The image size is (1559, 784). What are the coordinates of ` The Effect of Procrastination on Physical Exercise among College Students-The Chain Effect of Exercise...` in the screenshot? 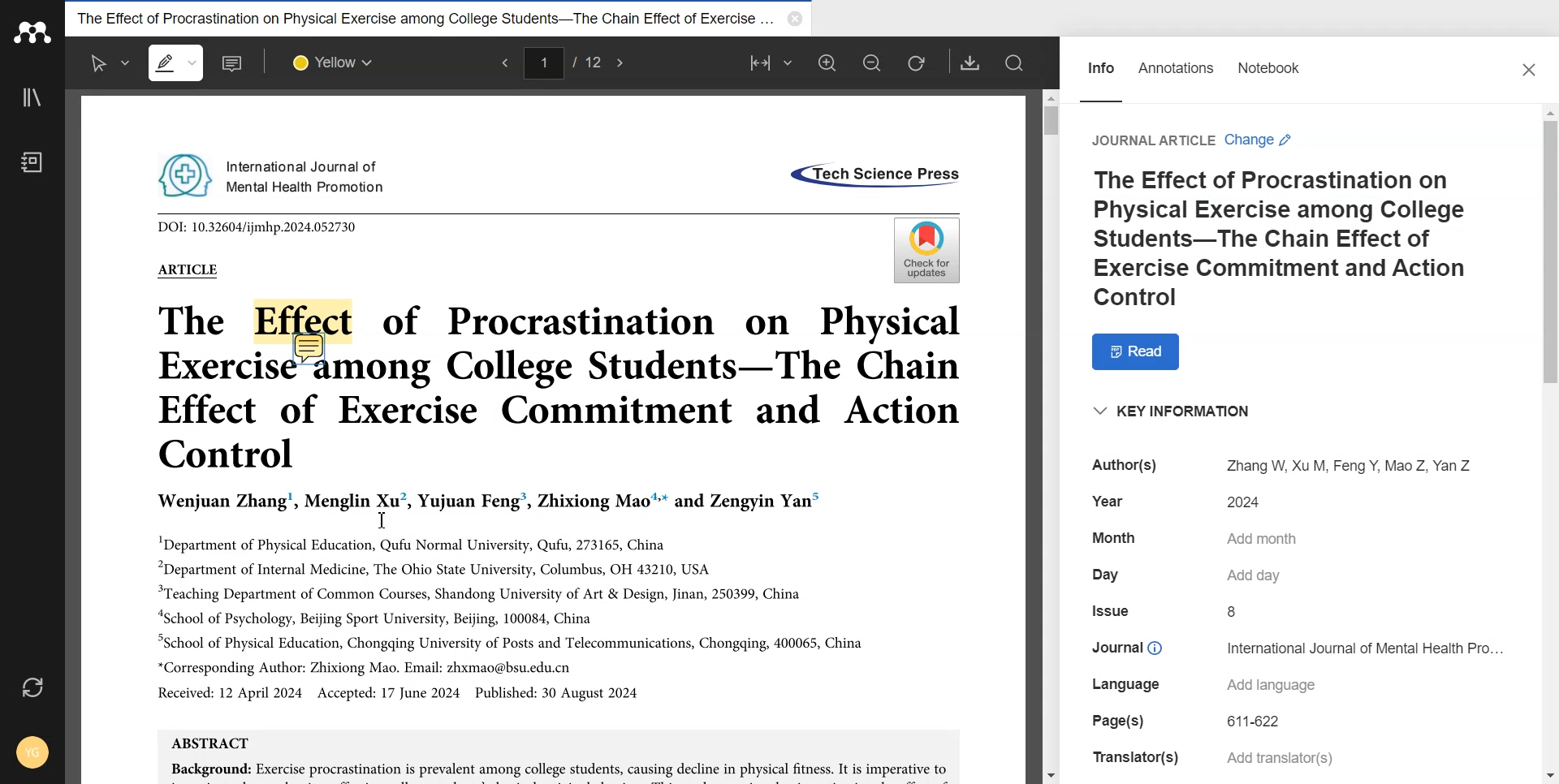 It's located at (419, 18).